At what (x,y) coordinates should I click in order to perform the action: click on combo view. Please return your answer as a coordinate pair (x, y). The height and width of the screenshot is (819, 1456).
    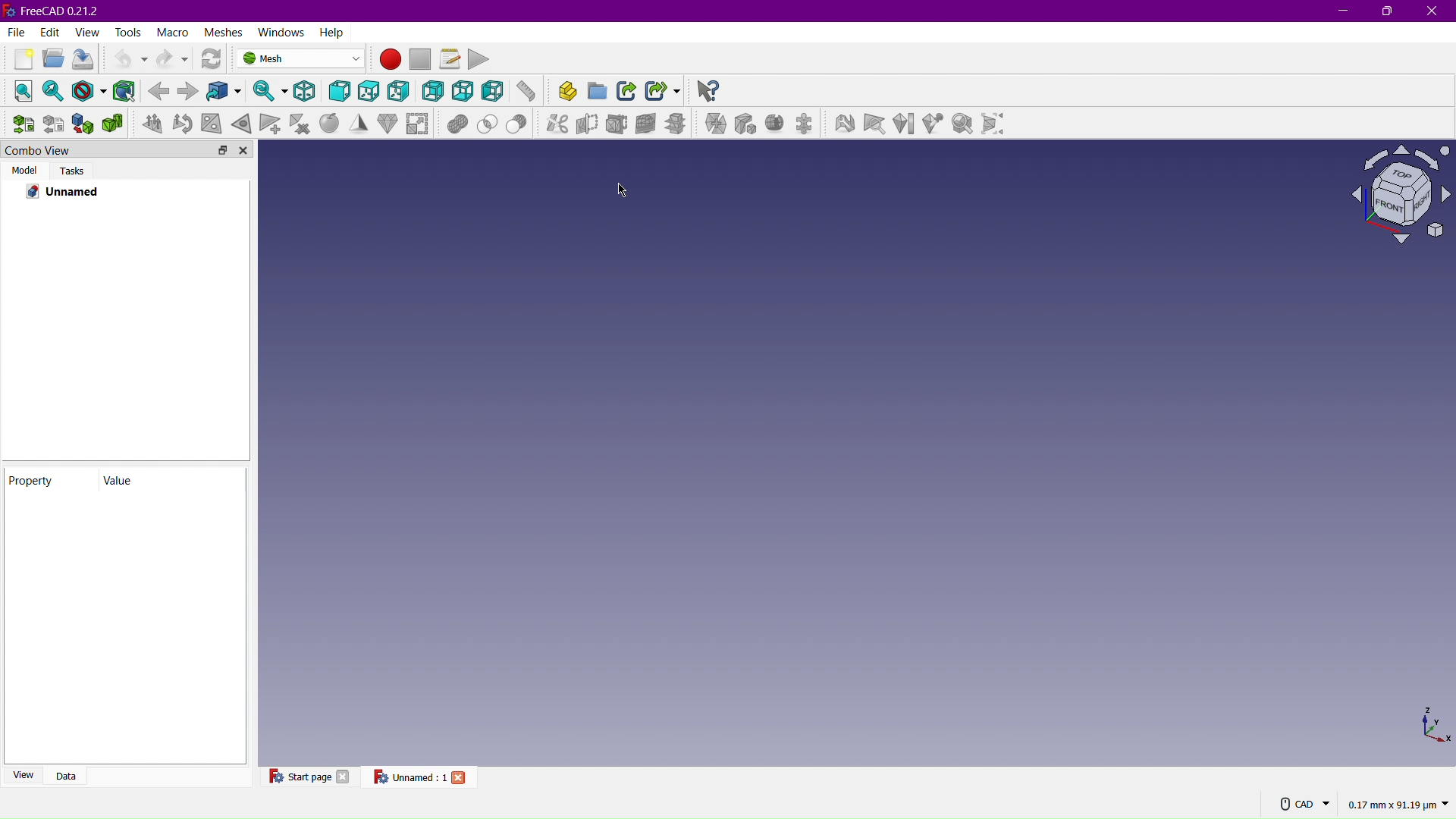
    Looking at the image, I should click on (76, 149).